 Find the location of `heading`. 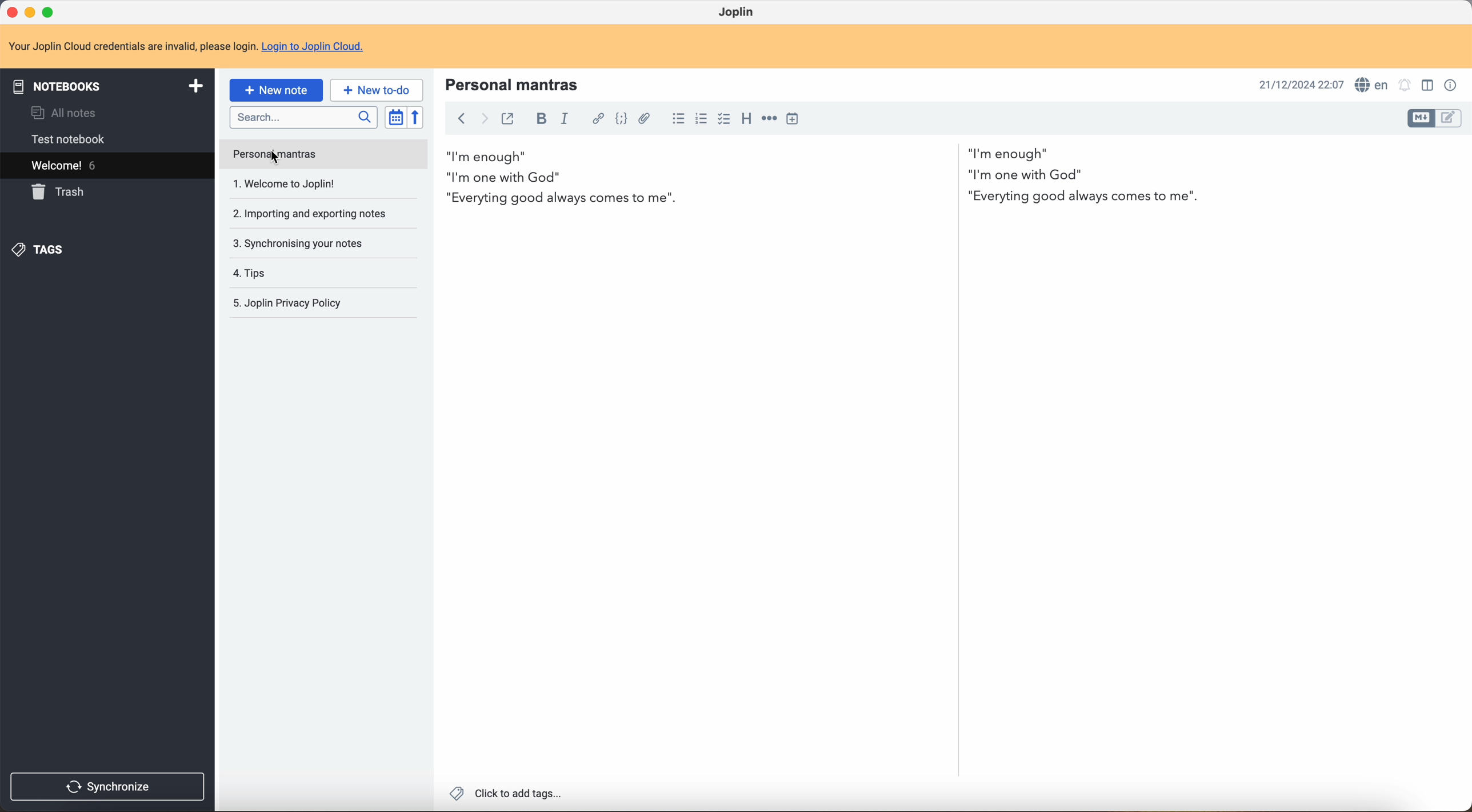

heading is located at coordinates (746, 121).